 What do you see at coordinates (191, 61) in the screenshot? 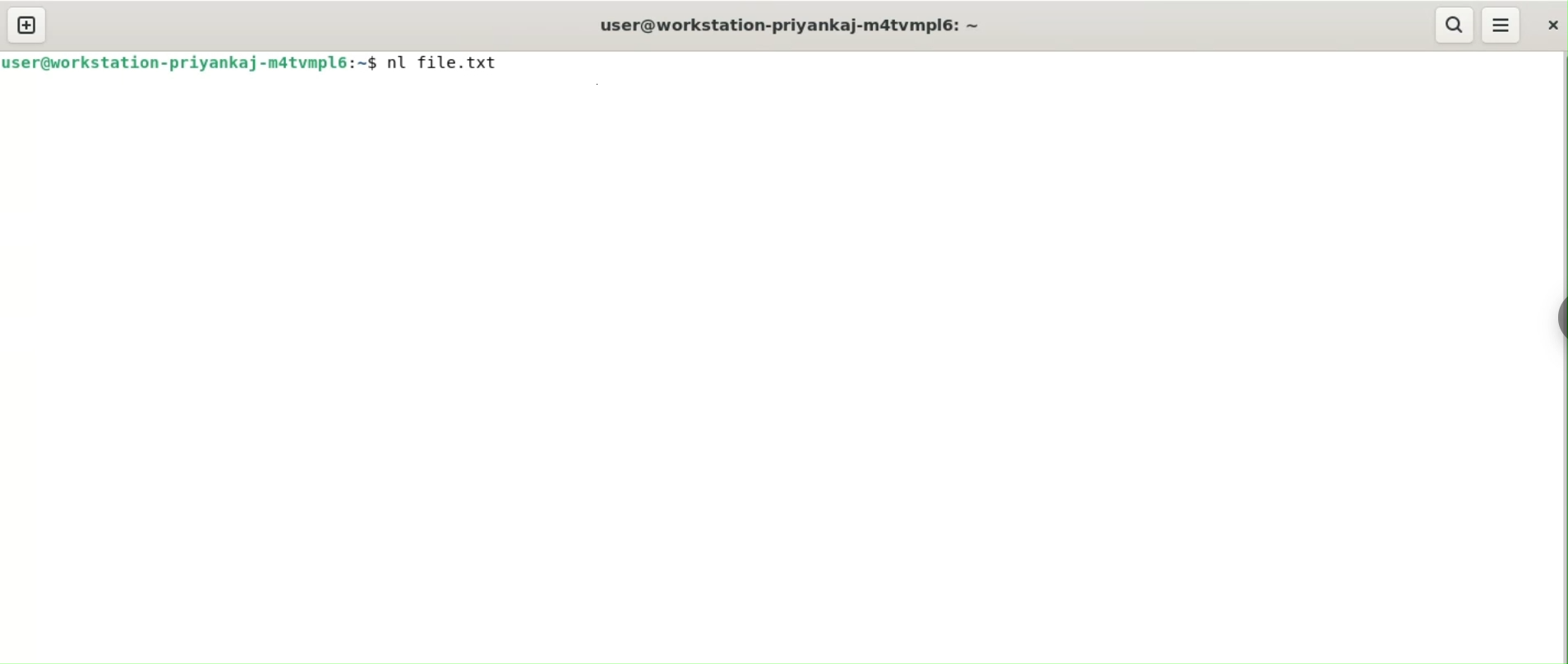
I see `user@workstation-priyankaj-m4atvmpl6: ~$` at bounding box center [191, 61].